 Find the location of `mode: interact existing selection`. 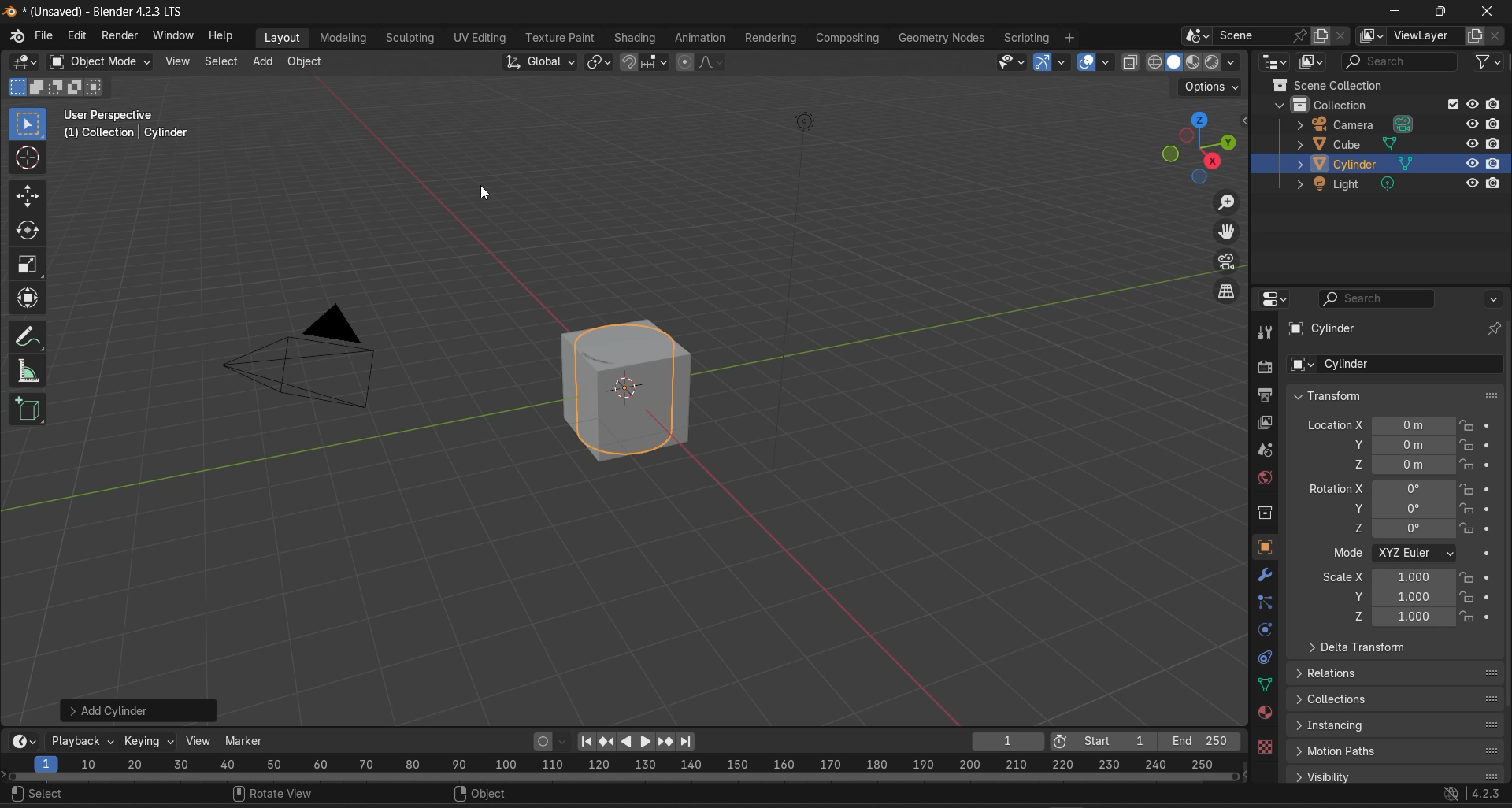

mode: interact existing selection is located at coordinates (96, 88).